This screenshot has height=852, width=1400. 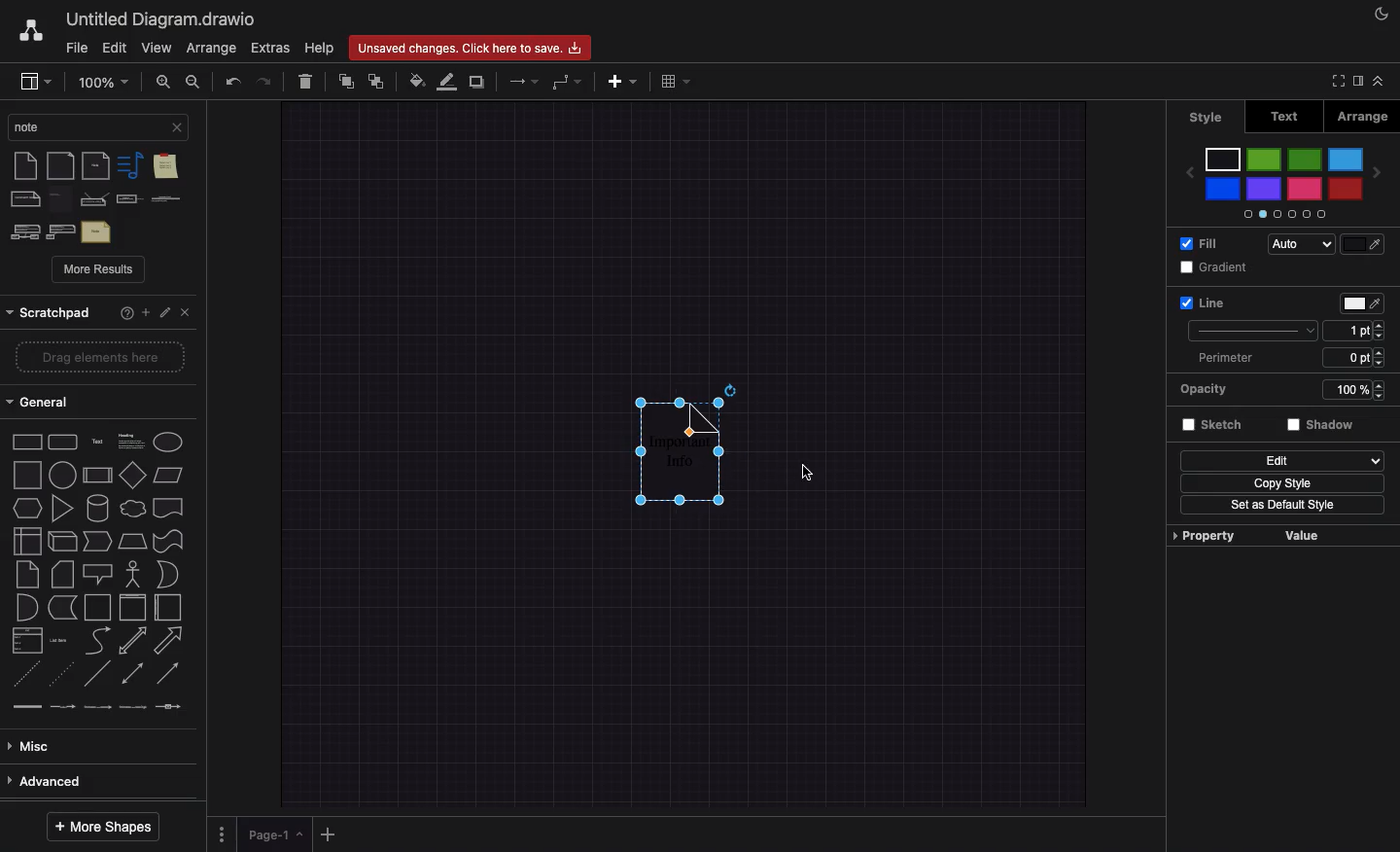 What do you see at coordinates (170, 575) in the screenshot?
I see `and` at bounding box center [170, 575].